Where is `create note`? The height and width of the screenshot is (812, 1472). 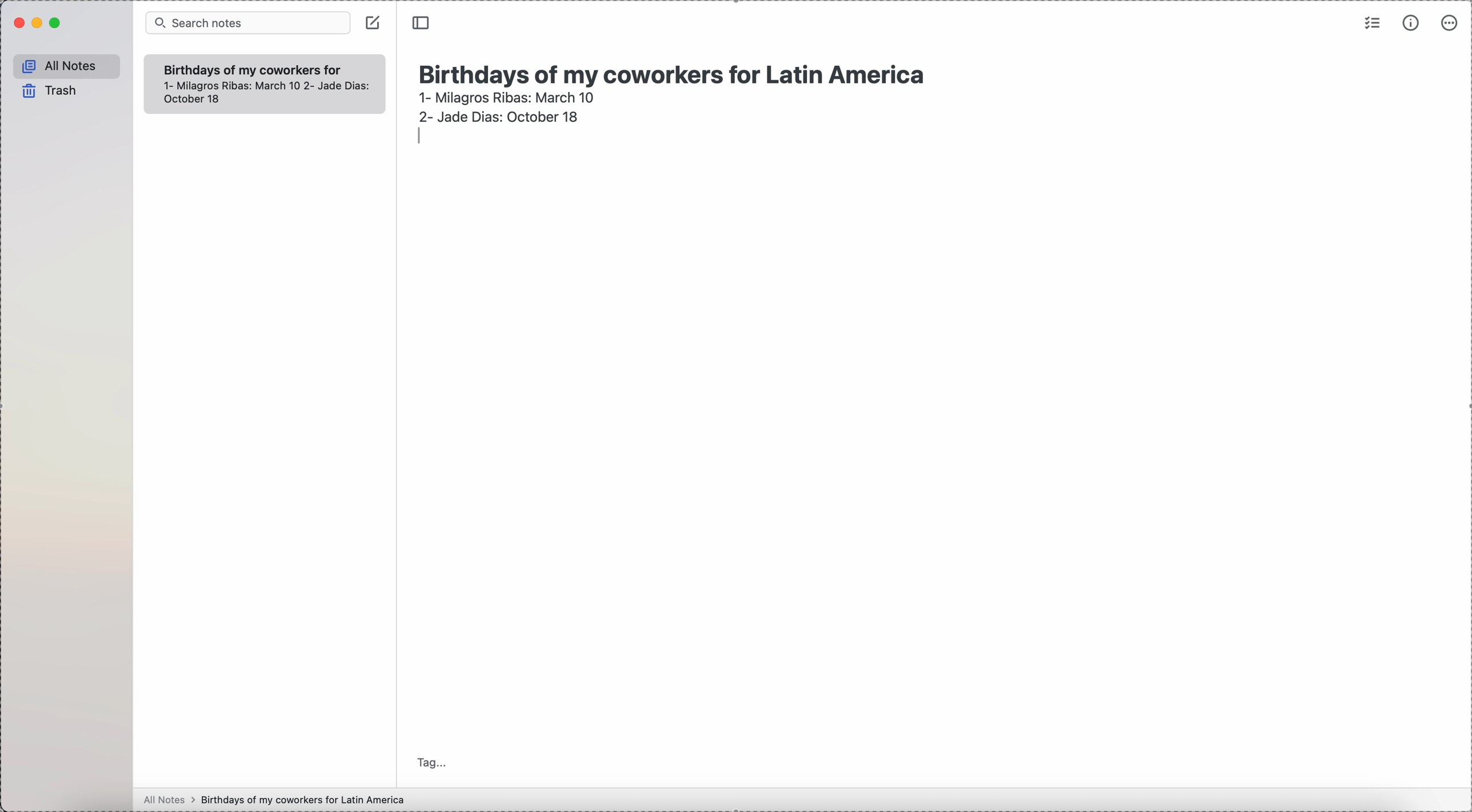
create note is located at coordinates (373, 22).